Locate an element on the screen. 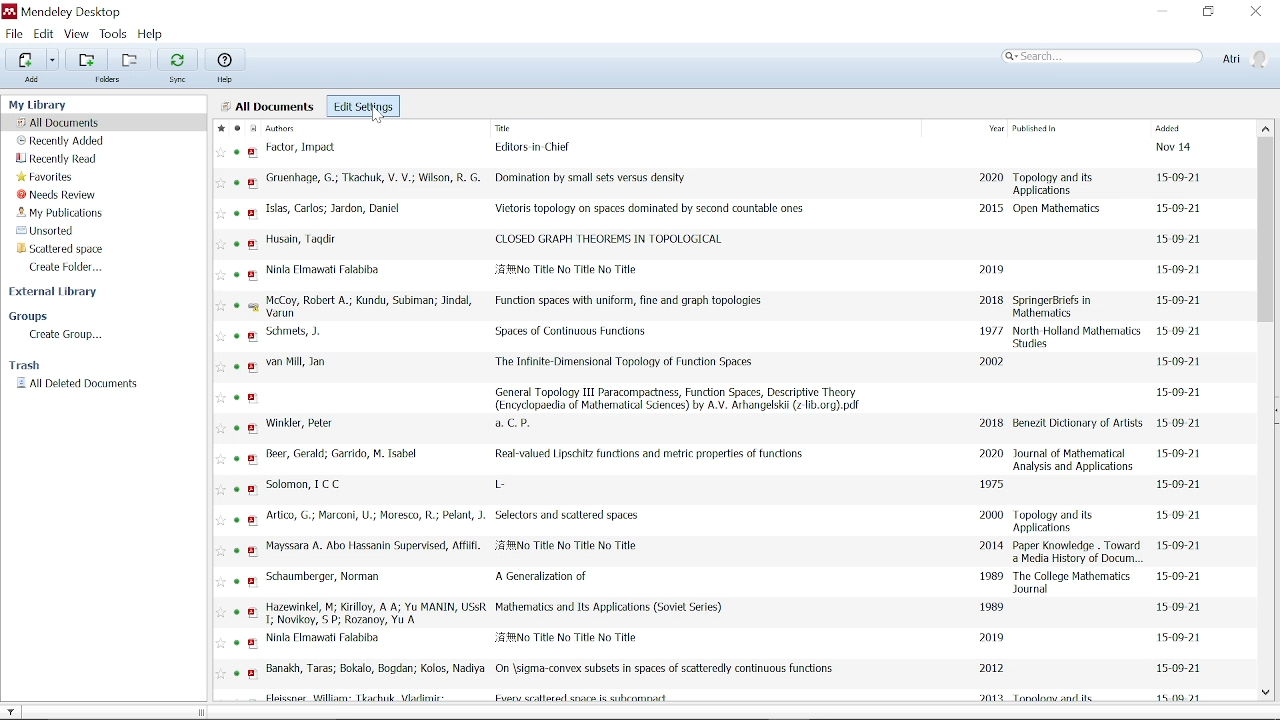 The width and height of the screenshot is (1280, 720). Title is located at coordinates (535, 128).